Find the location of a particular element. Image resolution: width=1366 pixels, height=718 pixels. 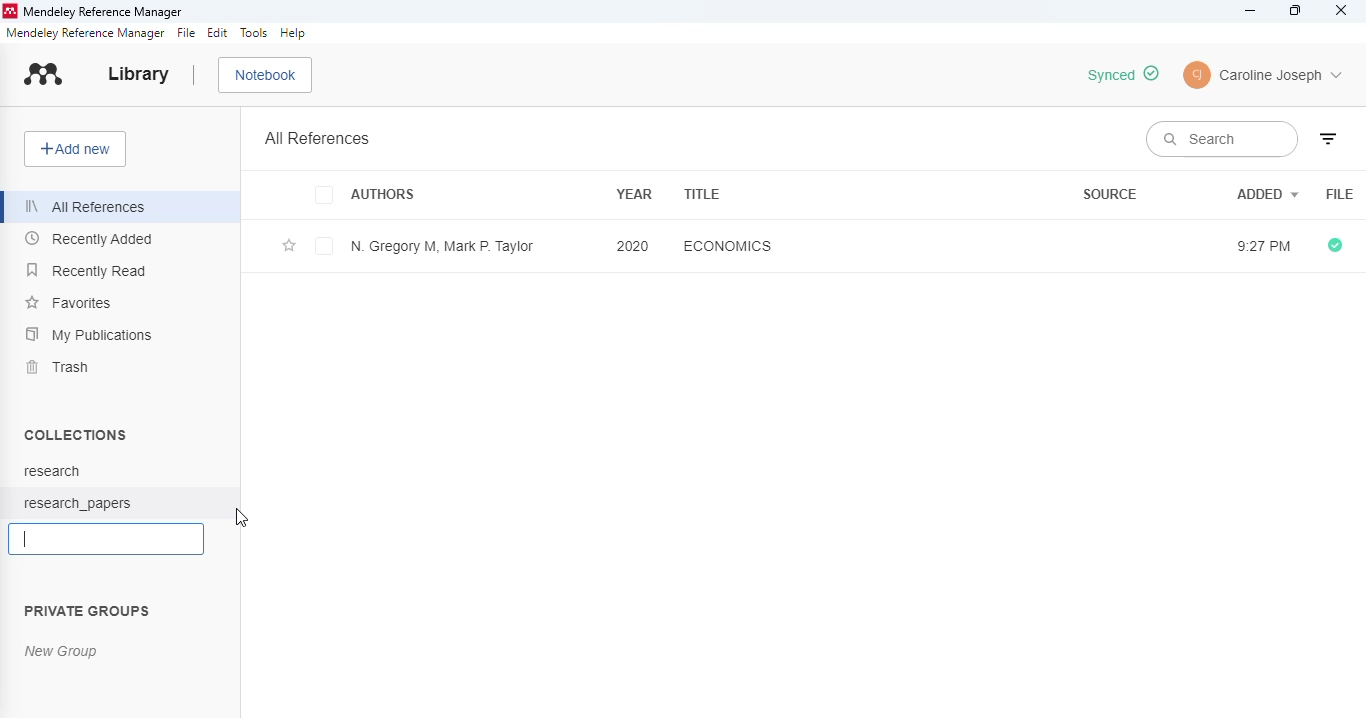

favorites is located at coordinates (70, 303).